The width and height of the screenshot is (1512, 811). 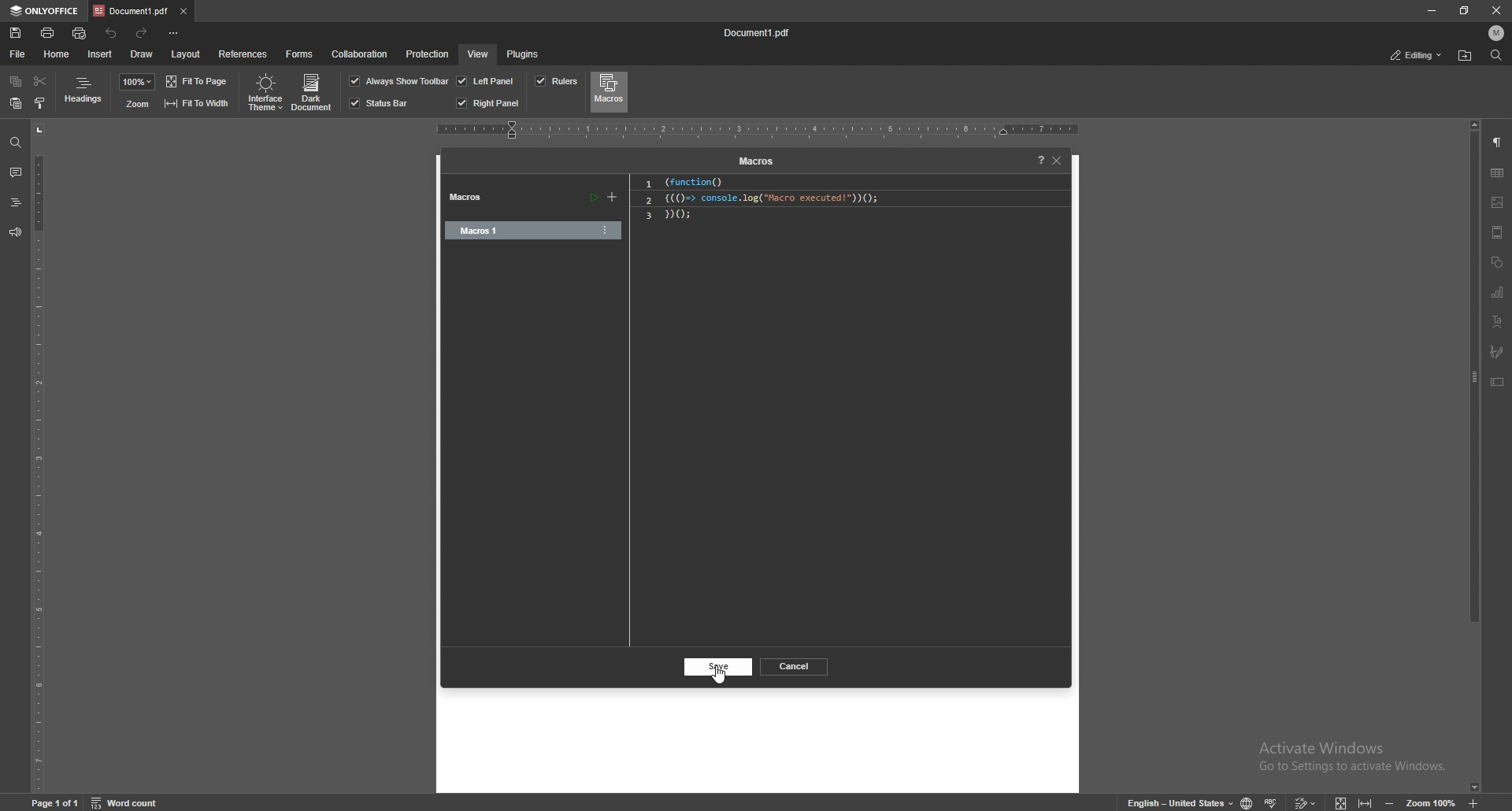 I want to click on insert, so click(x=100, y=54).